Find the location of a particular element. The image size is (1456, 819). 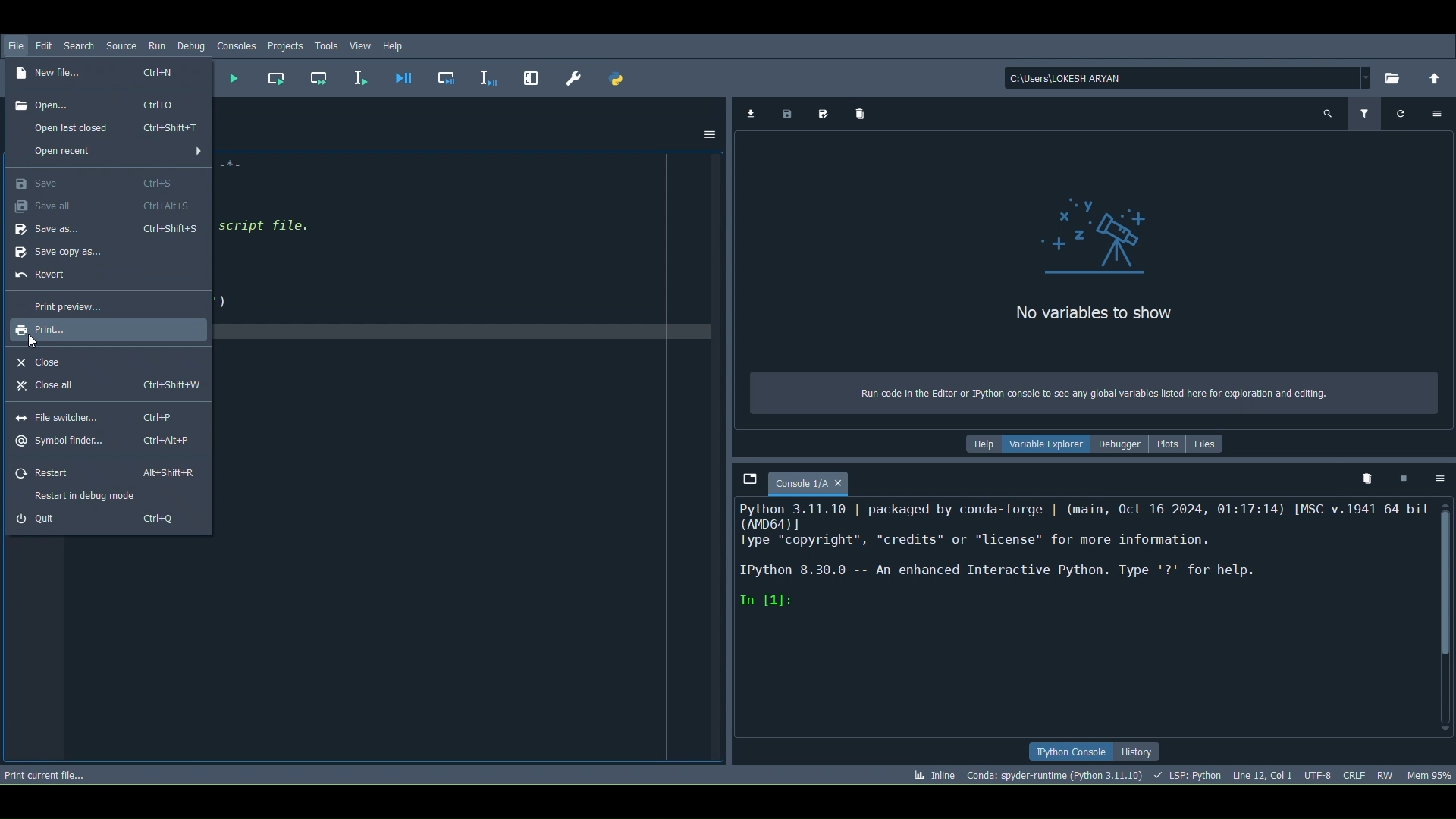

Source is located at coordinates (123, 46).